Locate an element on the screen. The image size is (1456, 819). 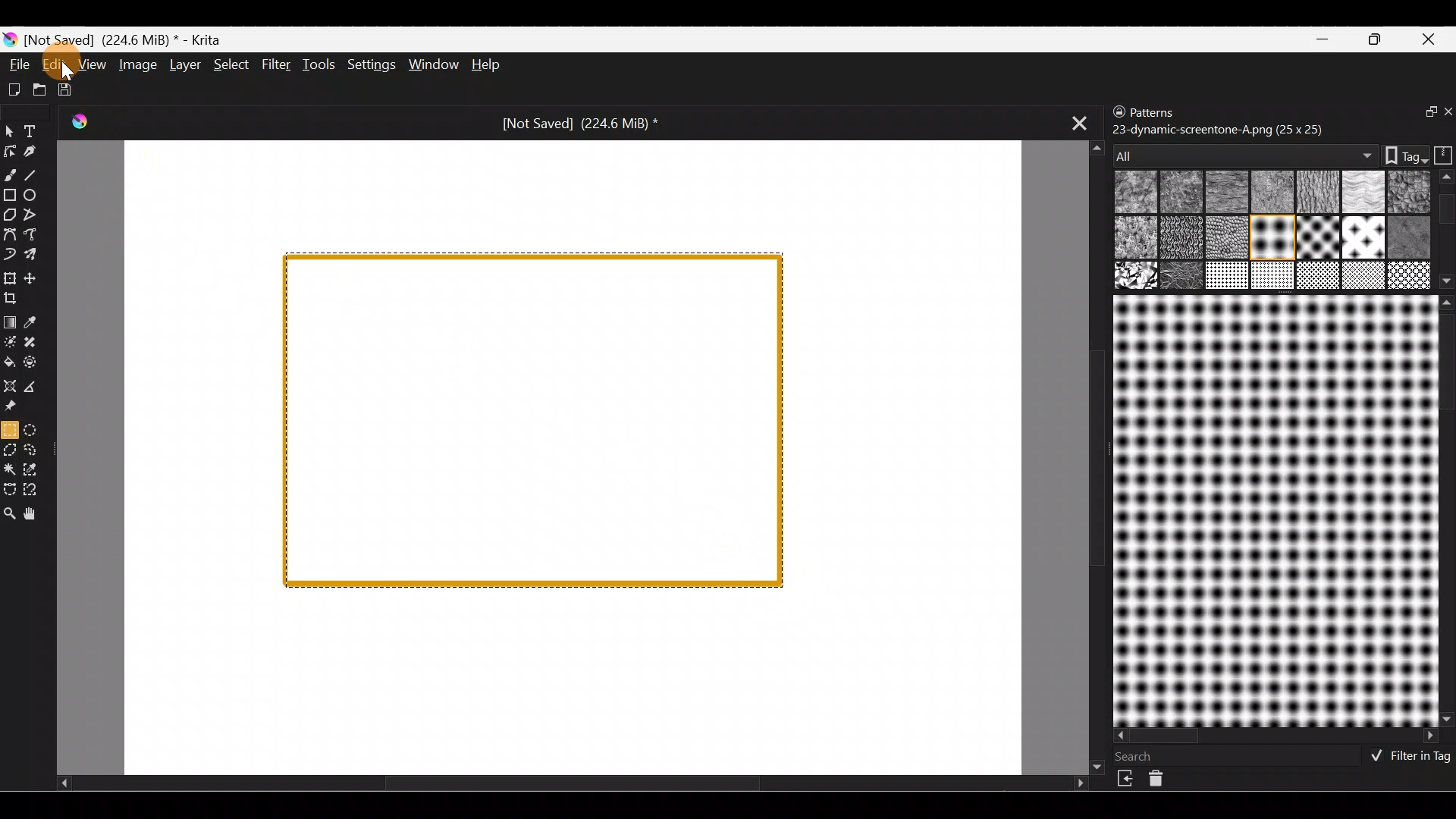
Select is located at coordinates (234, 66).